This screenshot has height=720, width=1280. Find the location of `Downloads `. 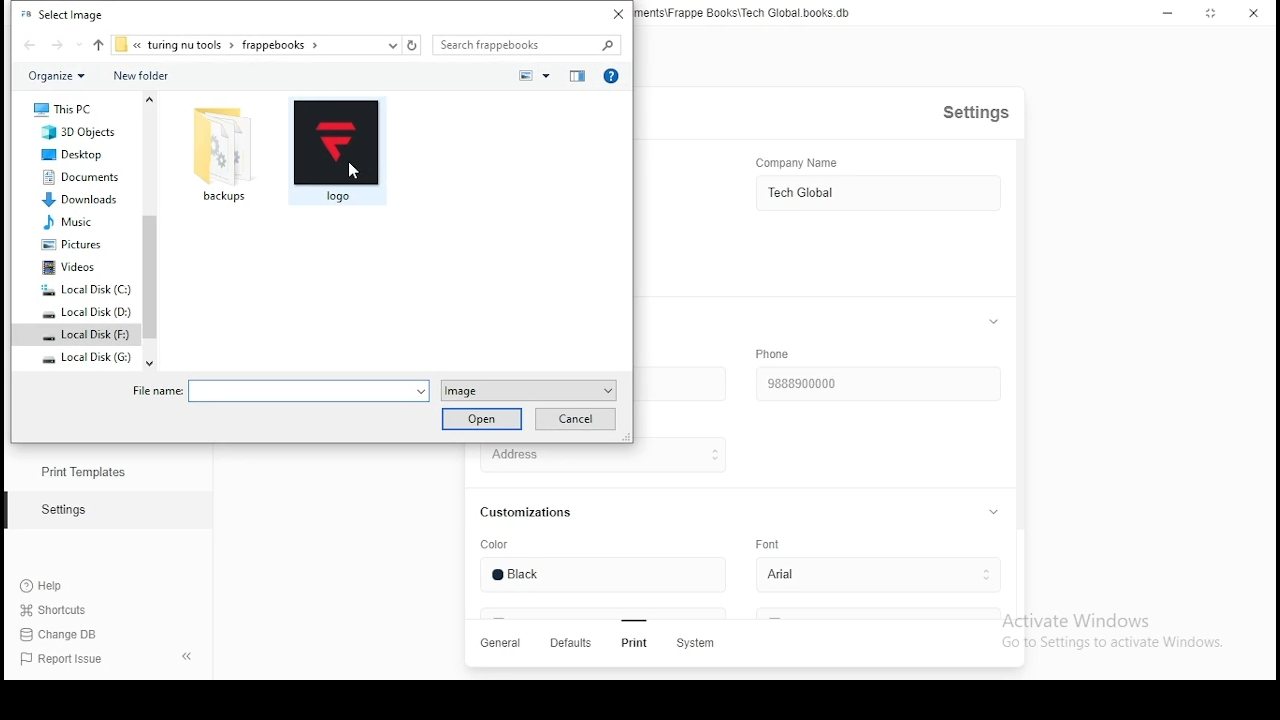

Downloads  is located at coordinates (80, 200).